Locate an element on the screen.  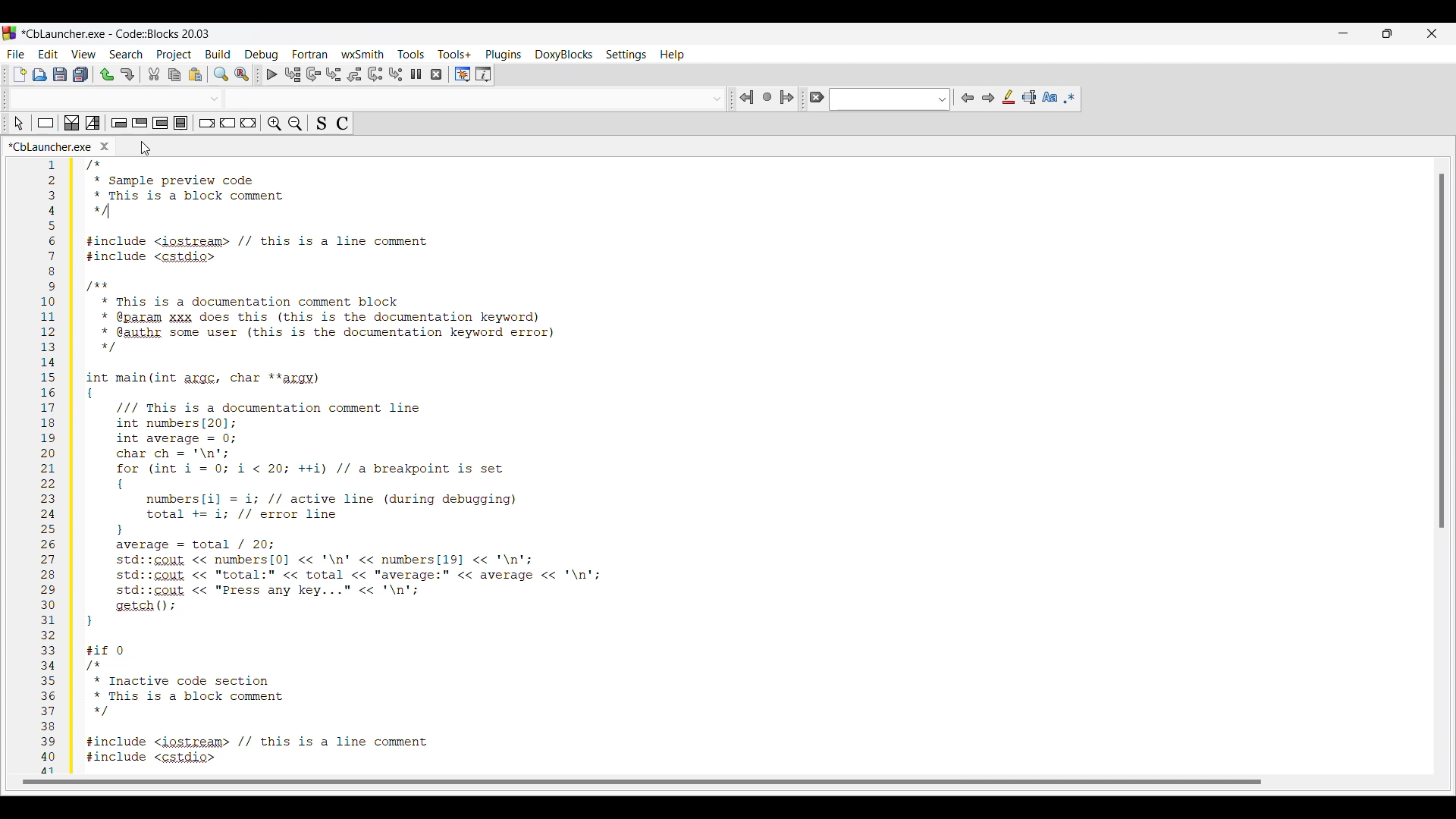
numbers  is located at coordinates (48, 466).